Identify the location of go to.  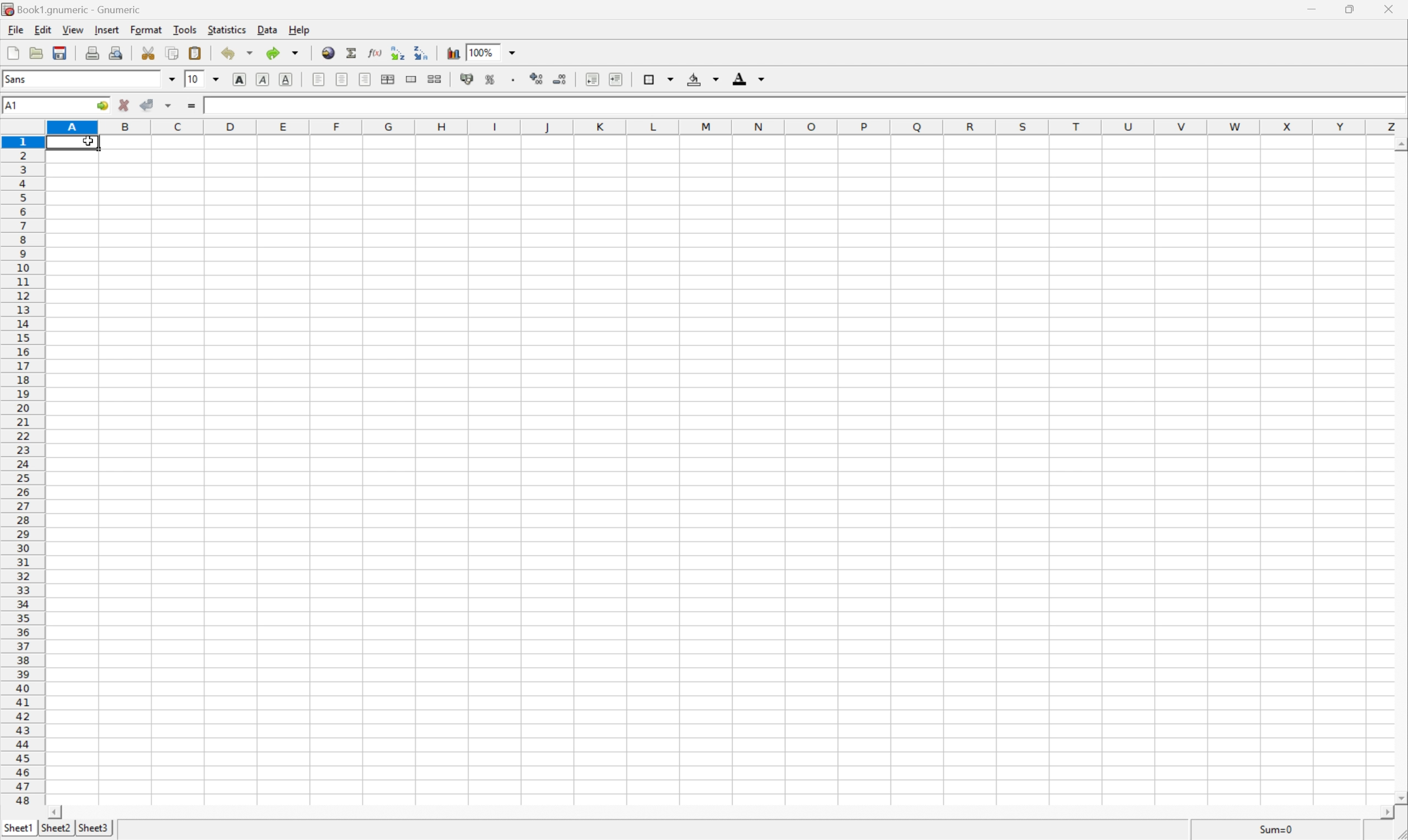
(104, 107).